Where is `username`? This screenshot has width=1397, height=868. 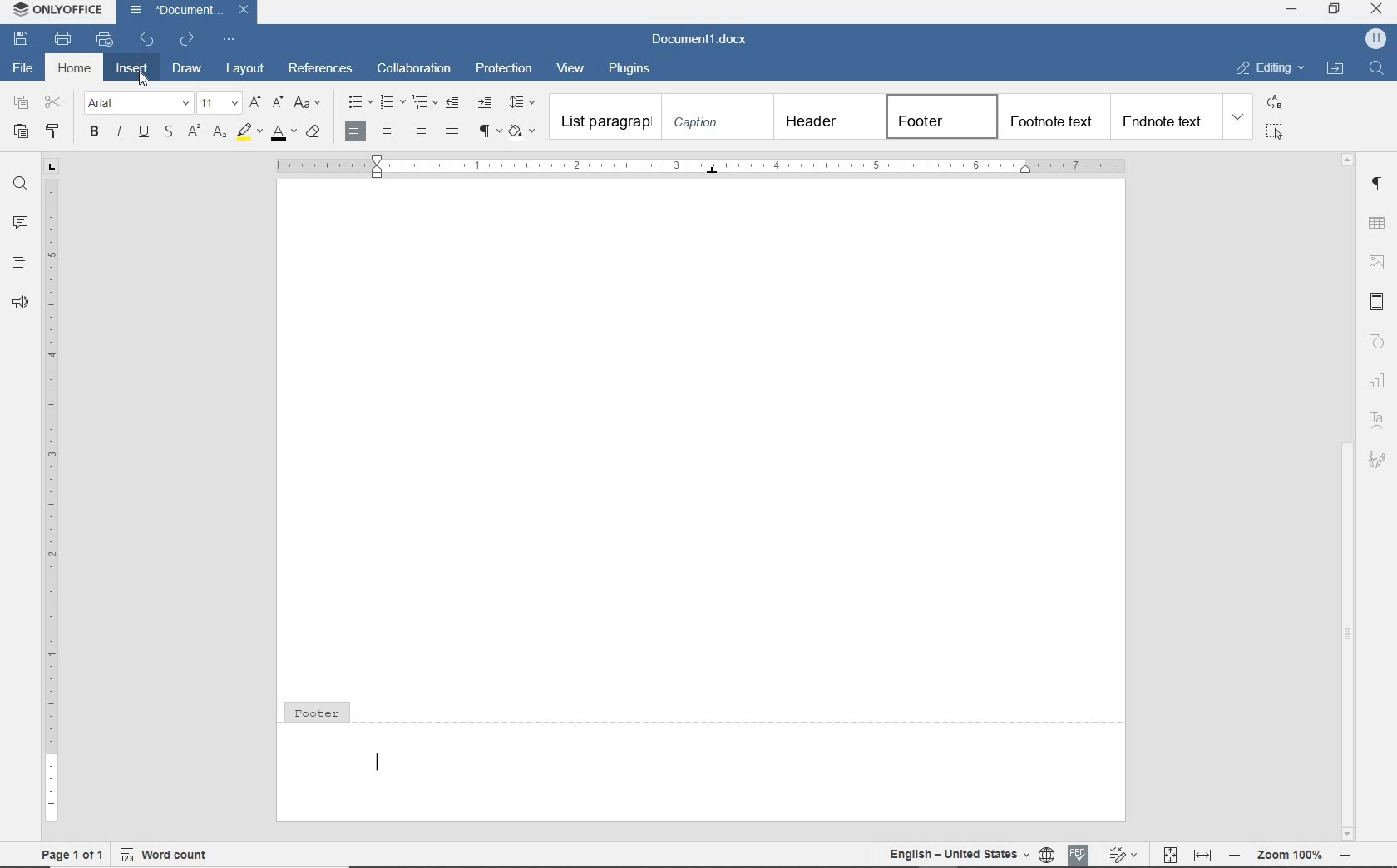 username is located at coordinates (1375, 40).